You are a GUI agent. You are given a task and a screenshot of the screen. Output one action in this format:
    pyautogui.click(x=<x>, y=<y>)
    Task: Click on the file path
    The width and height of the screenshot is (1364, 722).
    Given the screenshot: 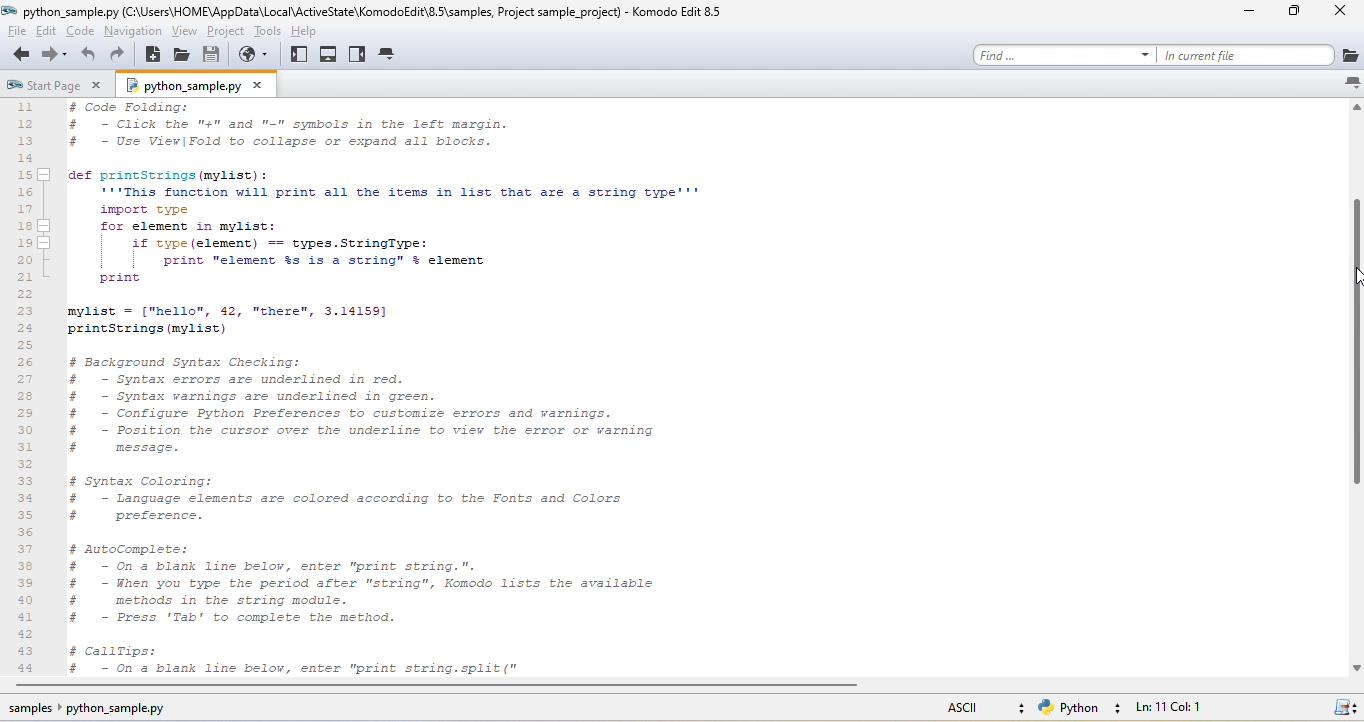 What is the action you would take?
    pyautogui.click(x=372, y=10)
    